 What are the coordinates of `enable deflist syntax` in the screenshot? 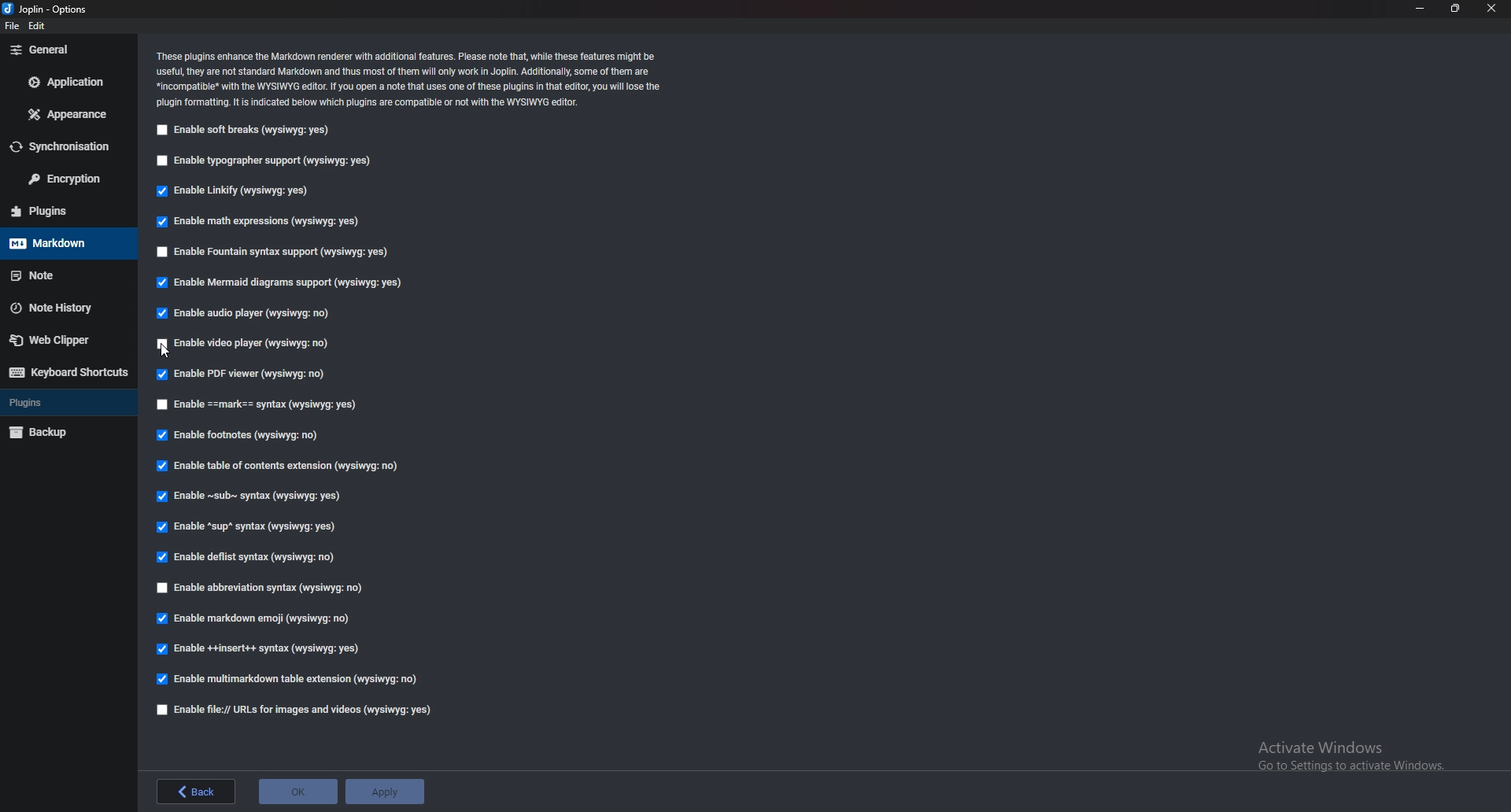 It's located at (246, 557).